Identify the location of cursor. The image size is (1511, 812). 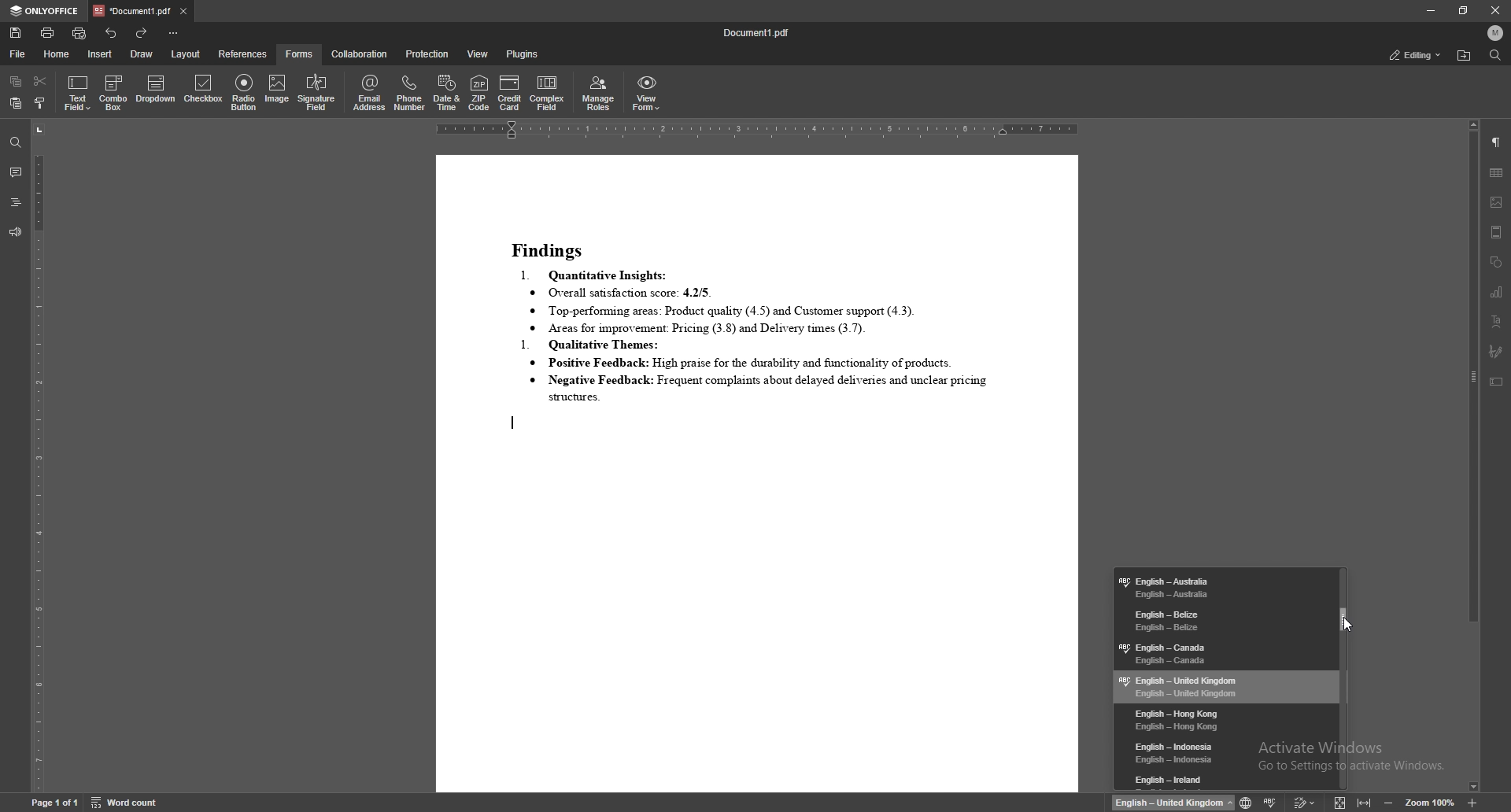
(1351, 626).